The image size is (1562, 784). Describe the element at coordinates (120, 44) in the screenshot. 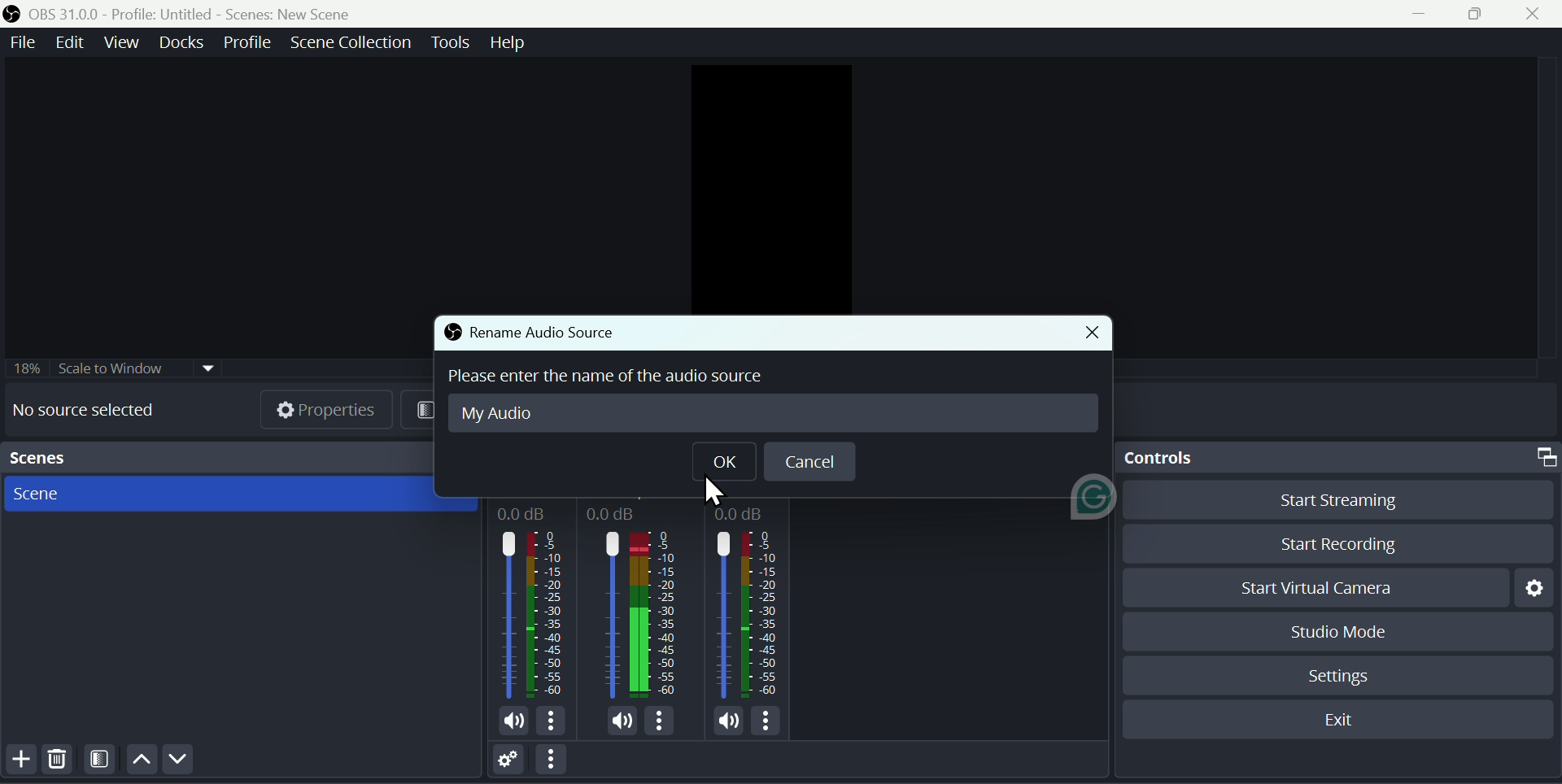

I see `View` at that location.